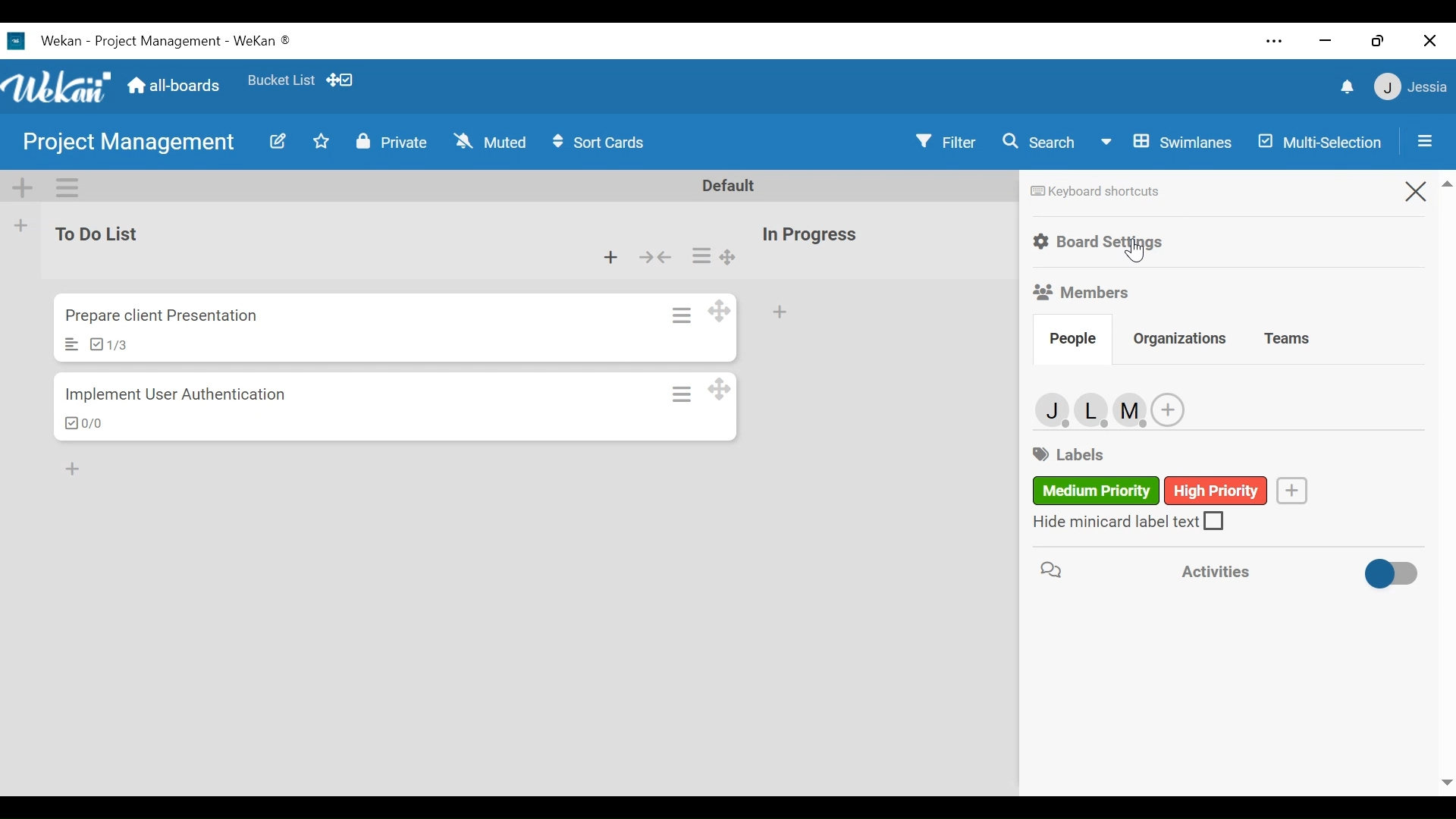 This screenshot has width=1456, height=819. I want to click on List Name, so click(811, 235).